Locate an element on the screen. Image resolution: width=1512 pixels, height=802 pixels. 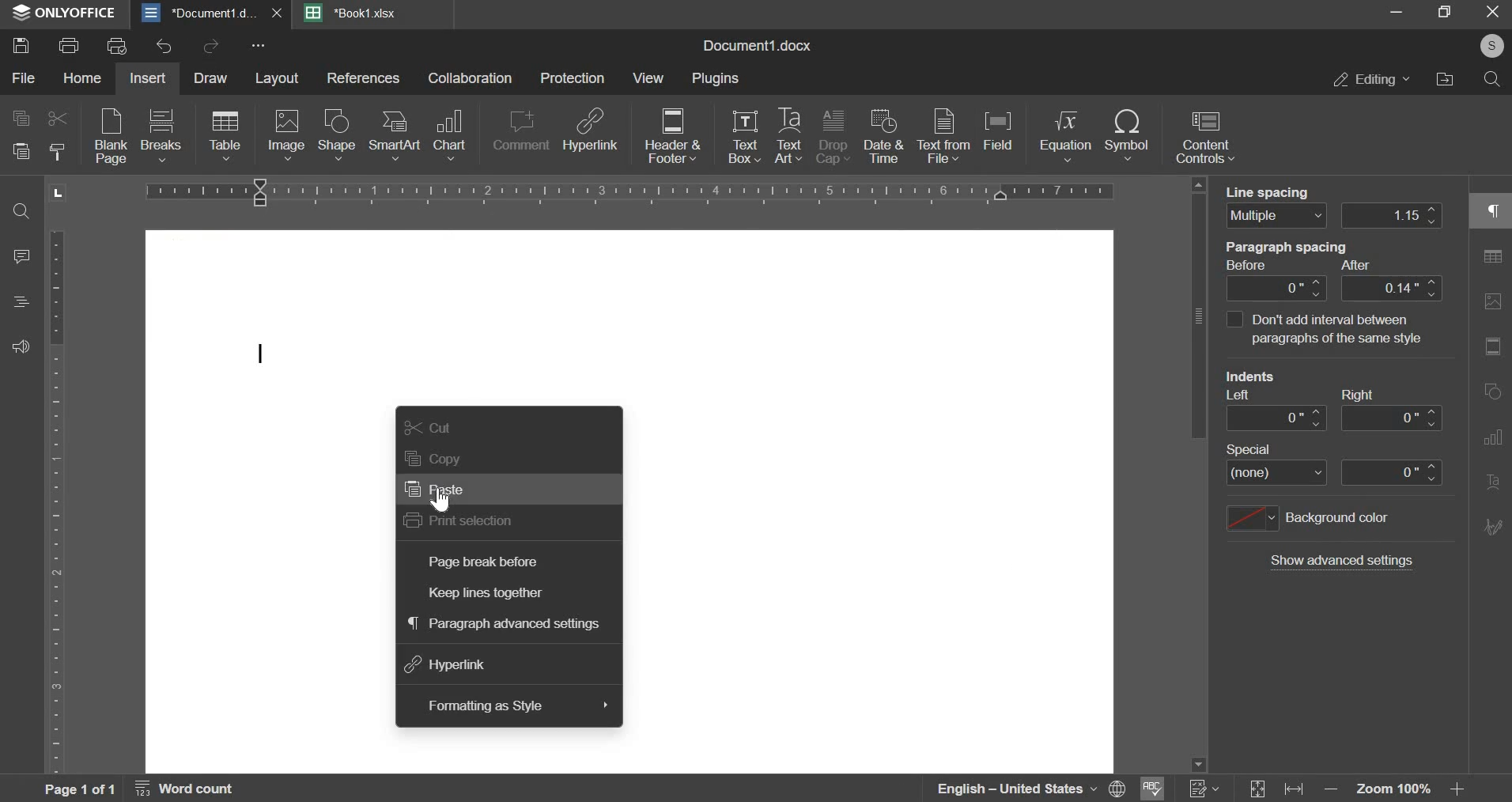
vertical scale is located at coordinates (56, 503).